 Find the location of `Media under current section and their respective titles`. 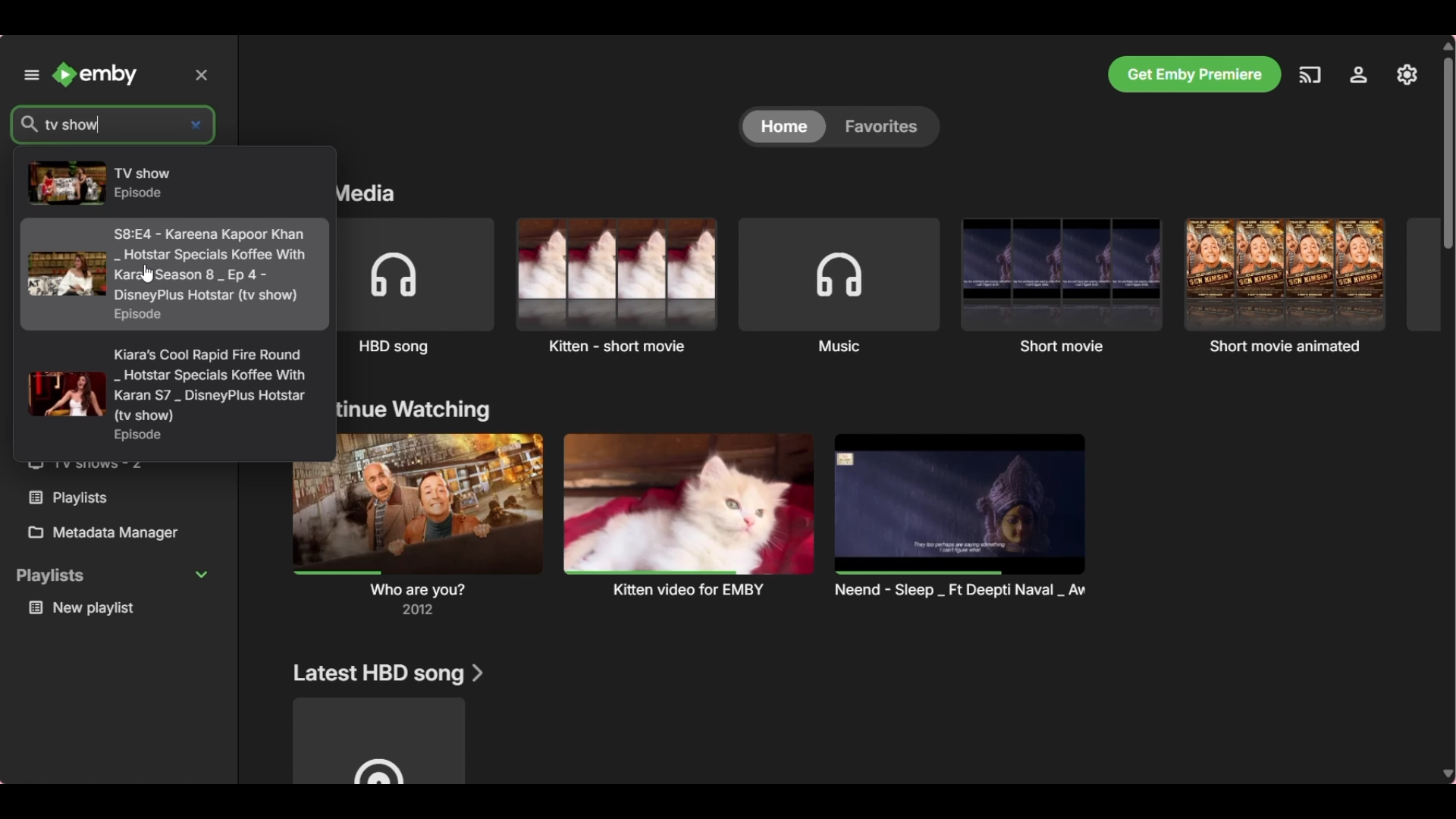

Media under current section and their respective titles is located at coordinates (717, 525).